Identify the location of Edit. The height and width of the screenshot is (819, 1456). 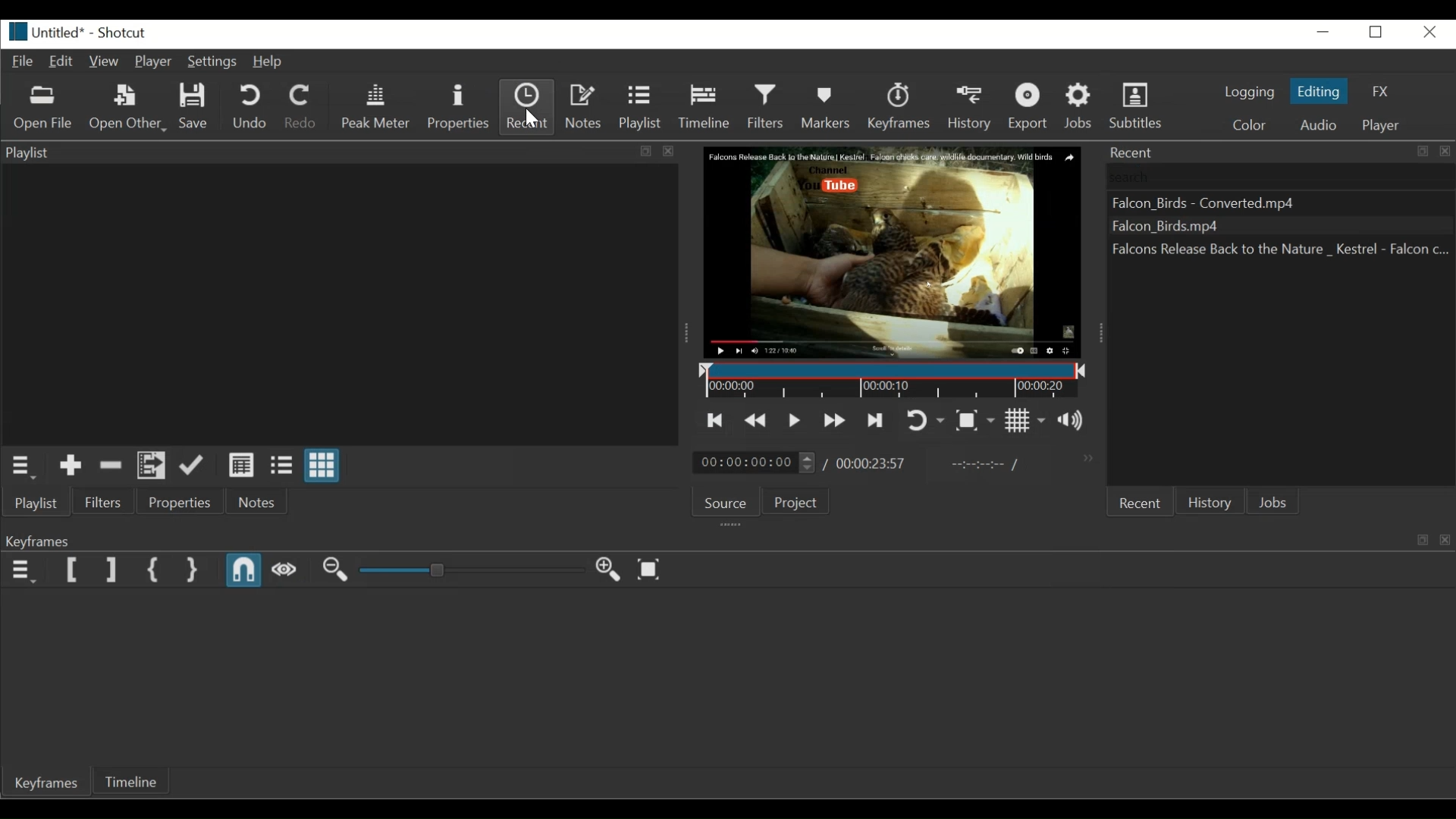
(61, 62).